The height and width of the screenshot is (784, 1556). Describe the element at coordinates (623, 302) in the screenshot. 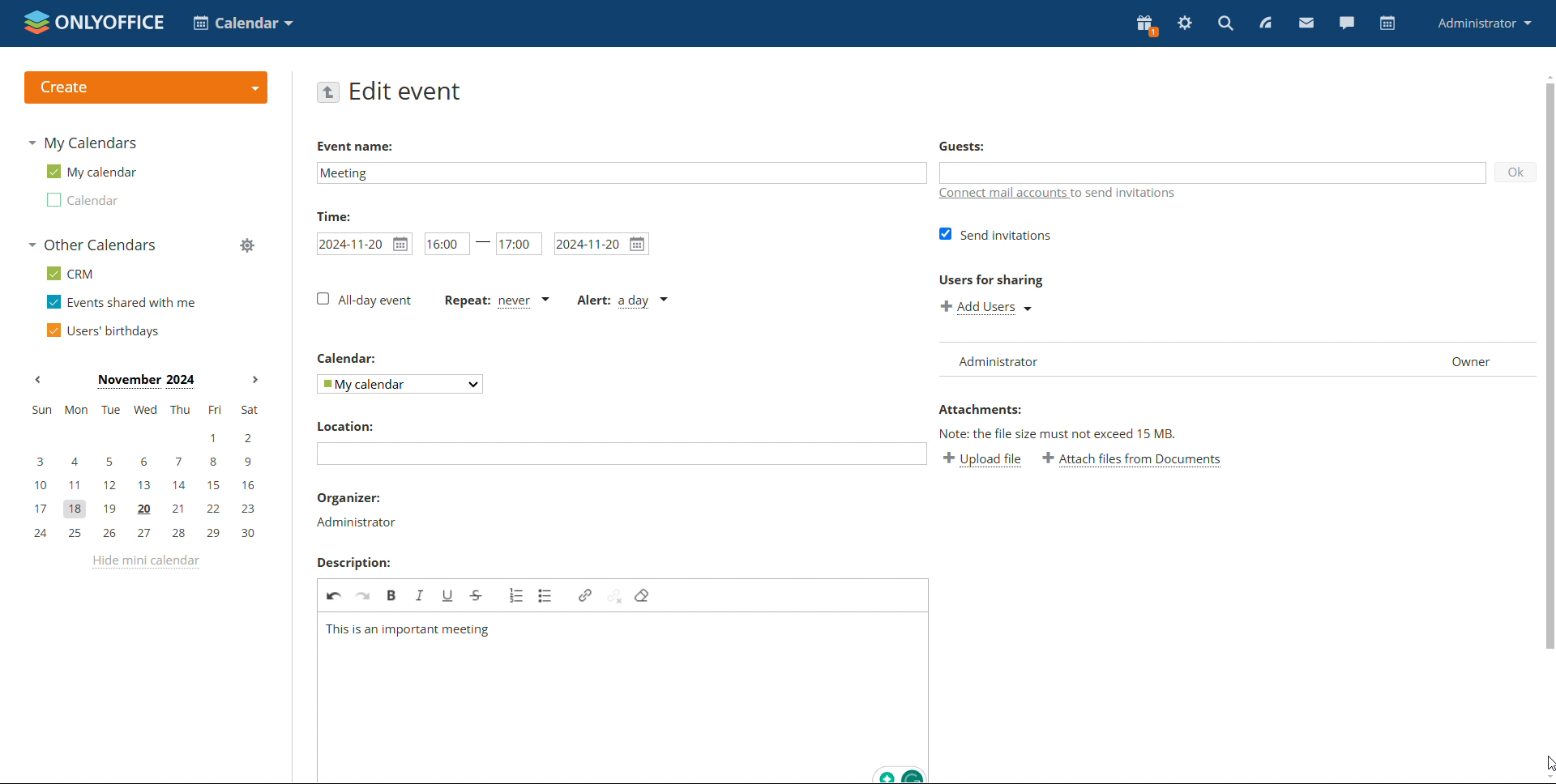

I see `alert type` at that location.